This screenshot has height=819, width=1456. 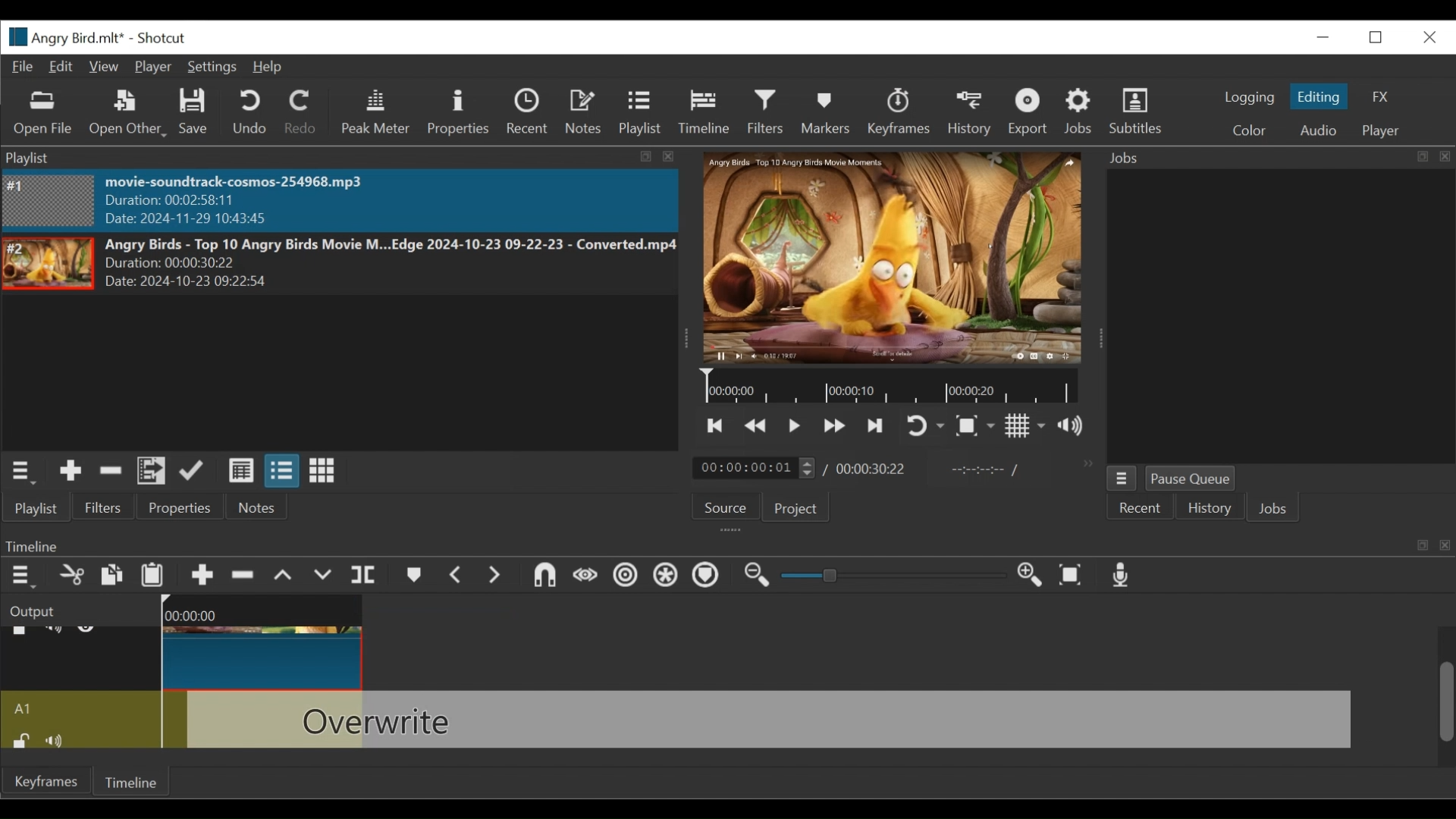 What do you see at coordinates (492, 576) in the screenshot?
I see `Next Marker` at bounding box center [492, 576].